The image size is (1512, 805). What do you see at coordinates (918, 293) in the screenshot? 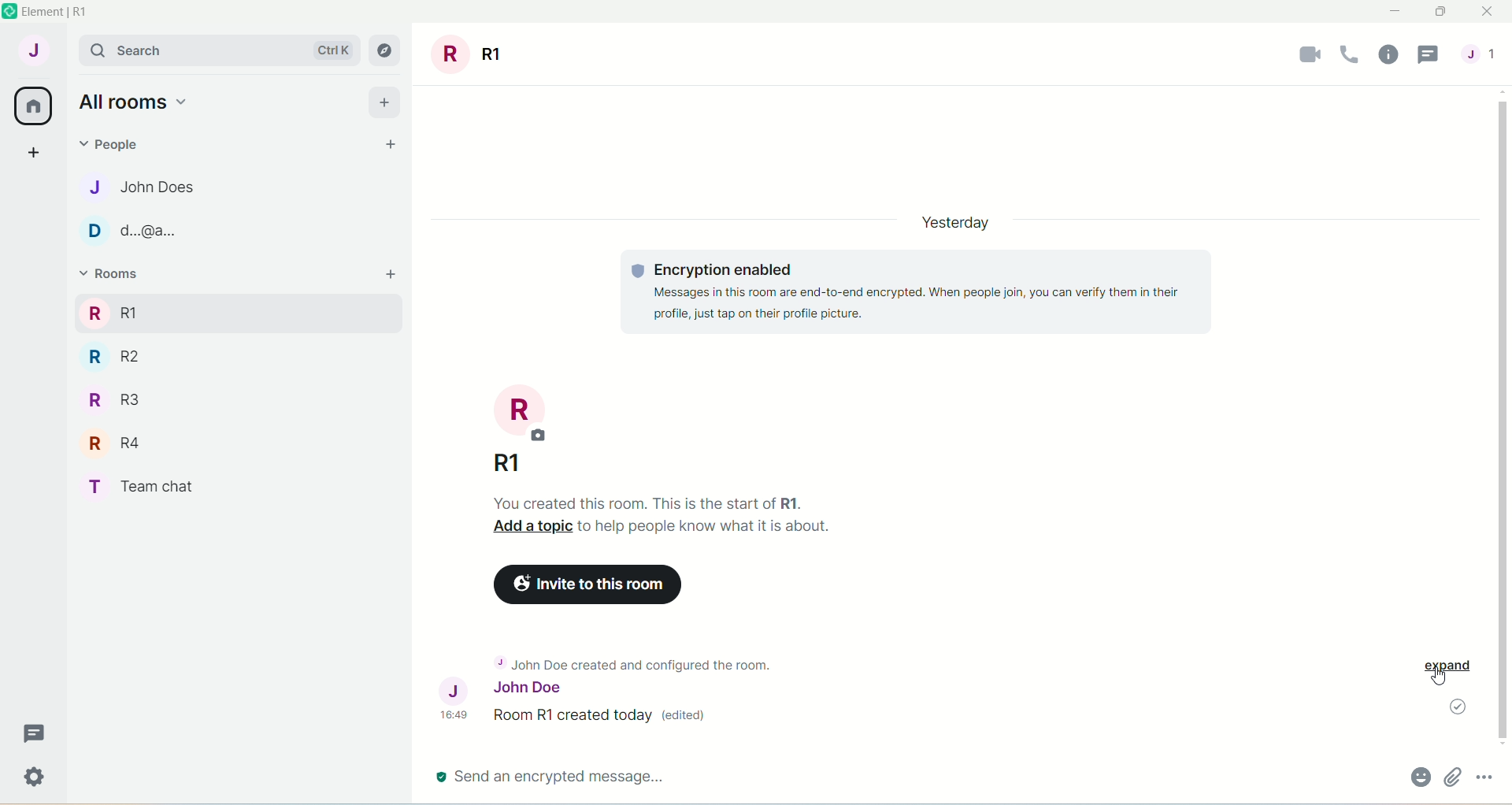
I see `© Encryption enabled
Messages in this room are end-to-end encrypted. When people join, you can verify them in their
profile, just tap on their profile picture.` at bounding box center [918, 293].